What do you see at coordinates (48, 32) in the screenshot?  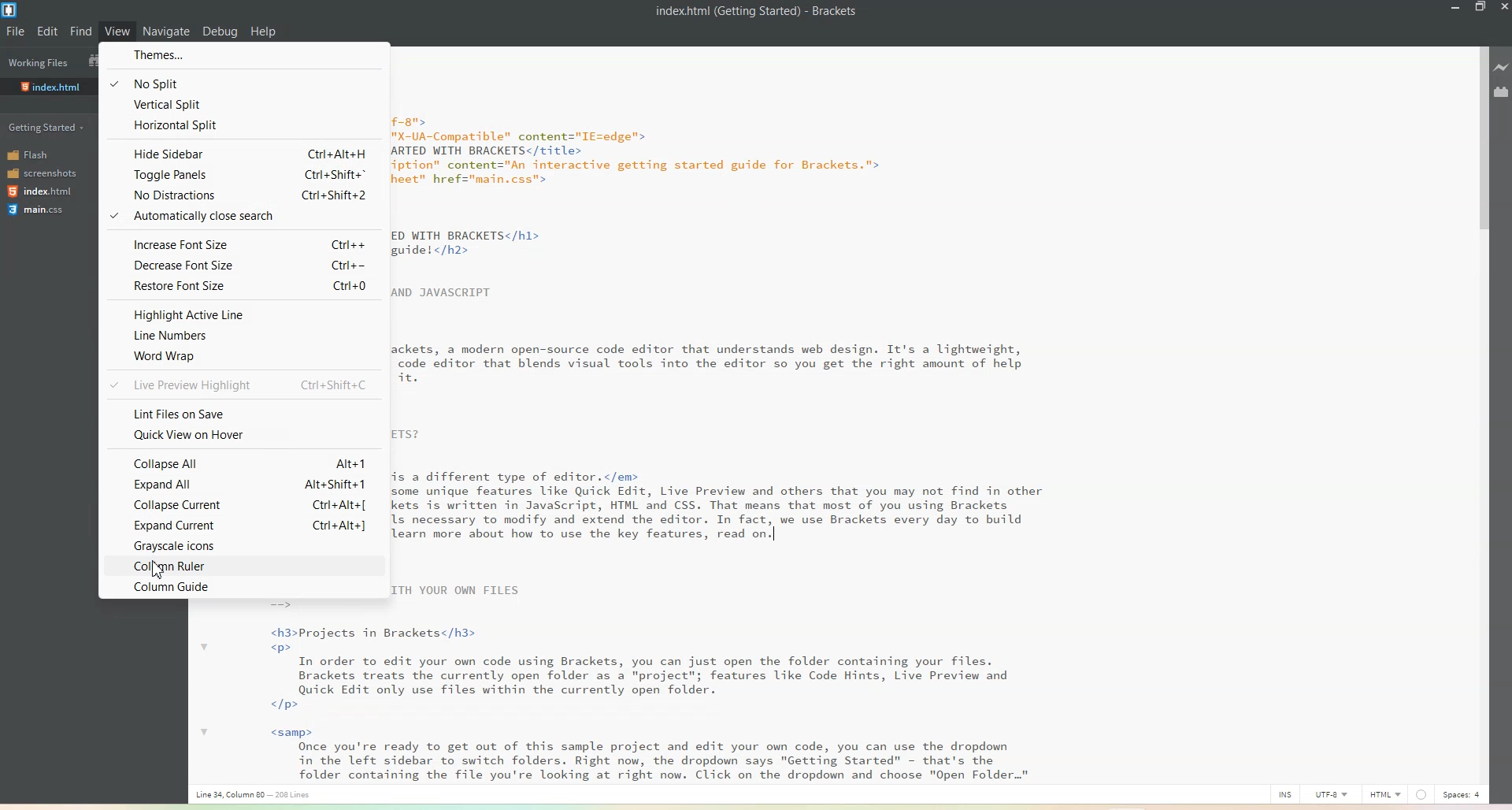 I see `Edit` at bounding box center [48, 32].